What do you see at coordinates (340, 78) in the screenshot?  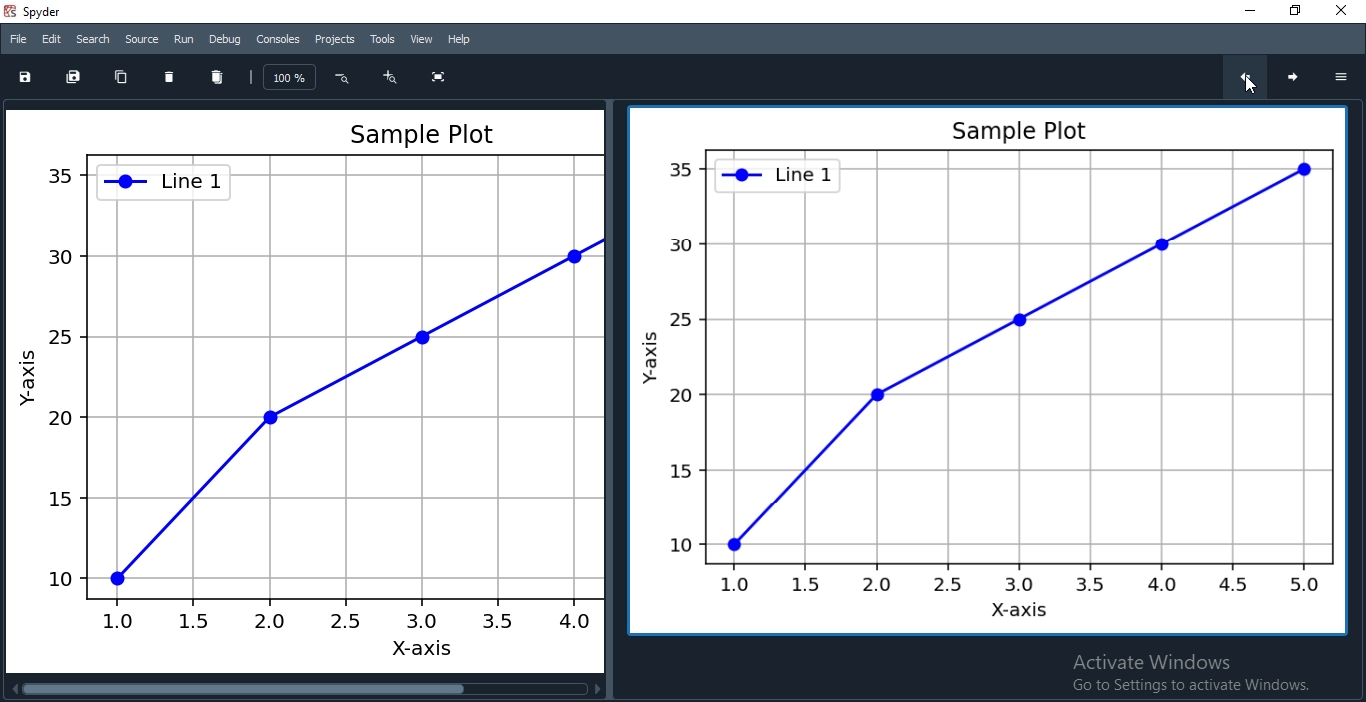 I see `` at bounding box center [340, 78].